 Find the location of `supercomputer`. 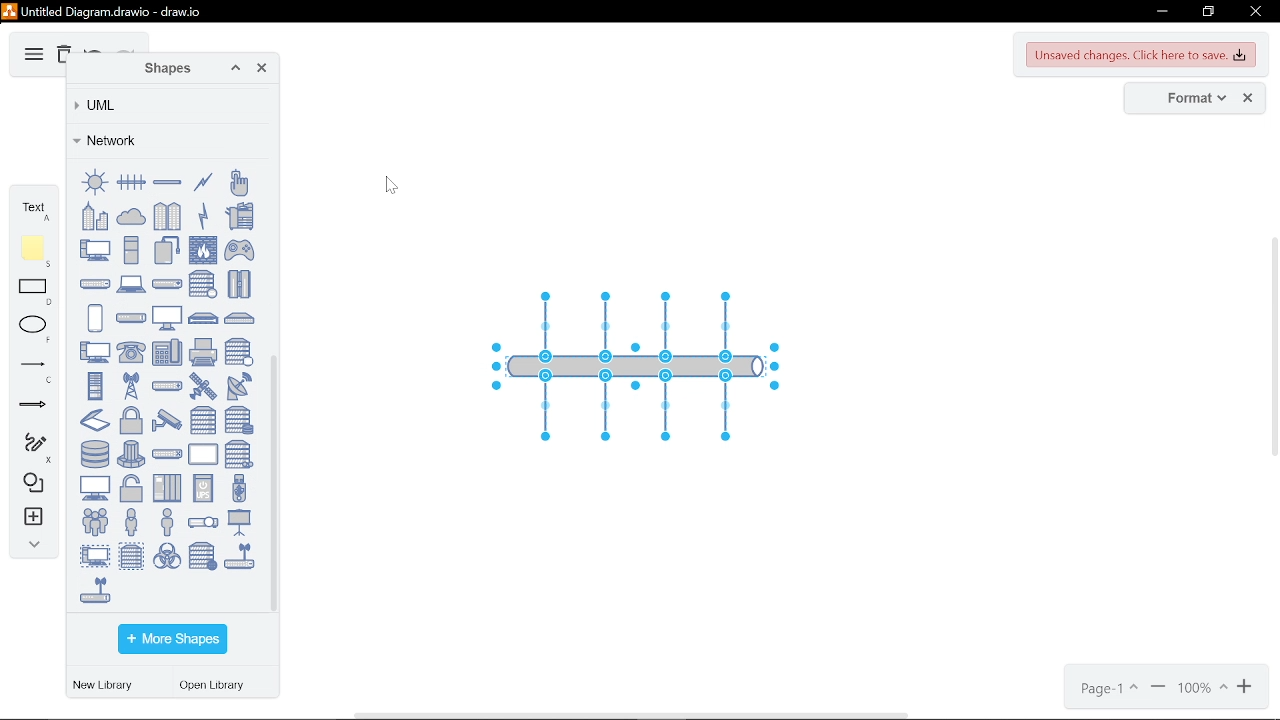

supercomputer is located at coordinates (131, 454).